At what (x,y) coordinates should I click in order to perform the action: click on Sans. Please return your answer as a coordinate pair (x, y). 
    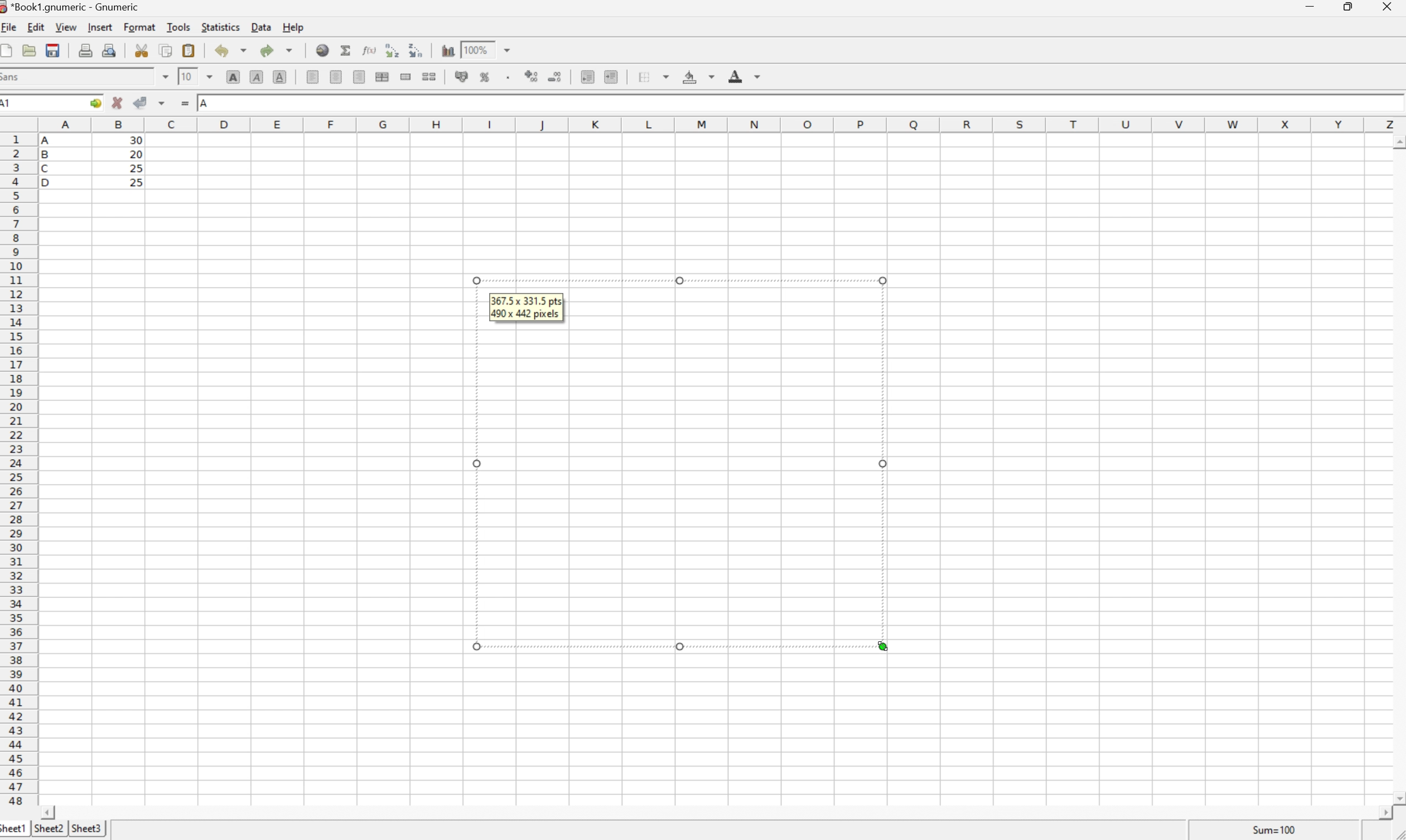
    Looking at the image, I should click on (12, 76).